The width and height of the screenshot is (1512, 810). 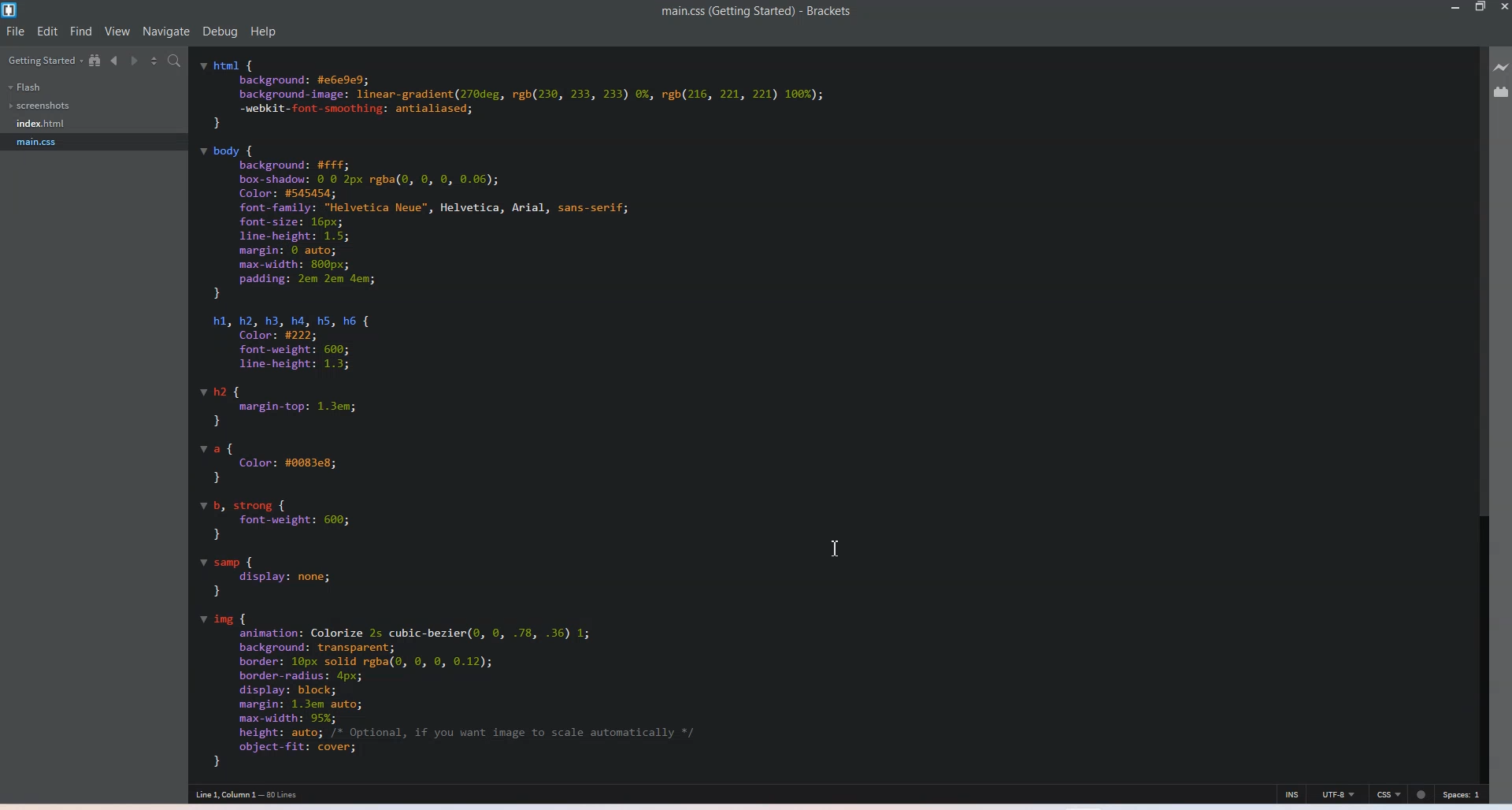 I want to click on screenshots, so click(x=42, y=106).